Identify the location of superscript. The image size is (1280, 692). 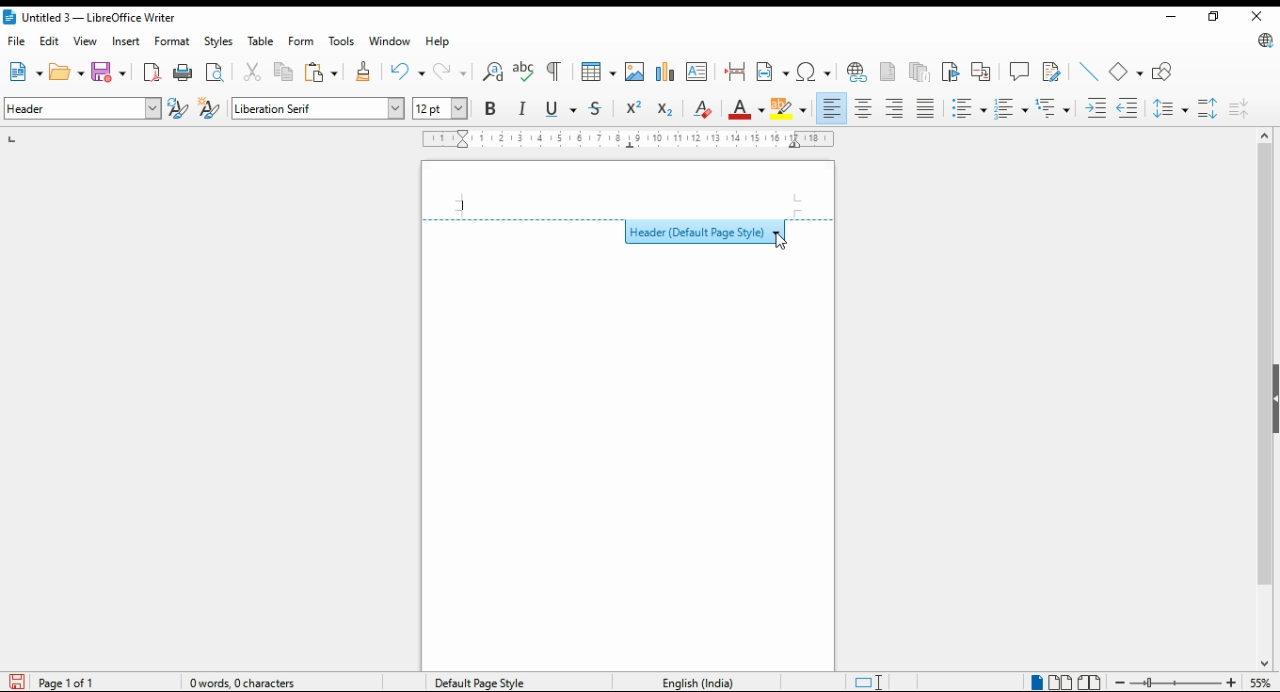
(633, 107).